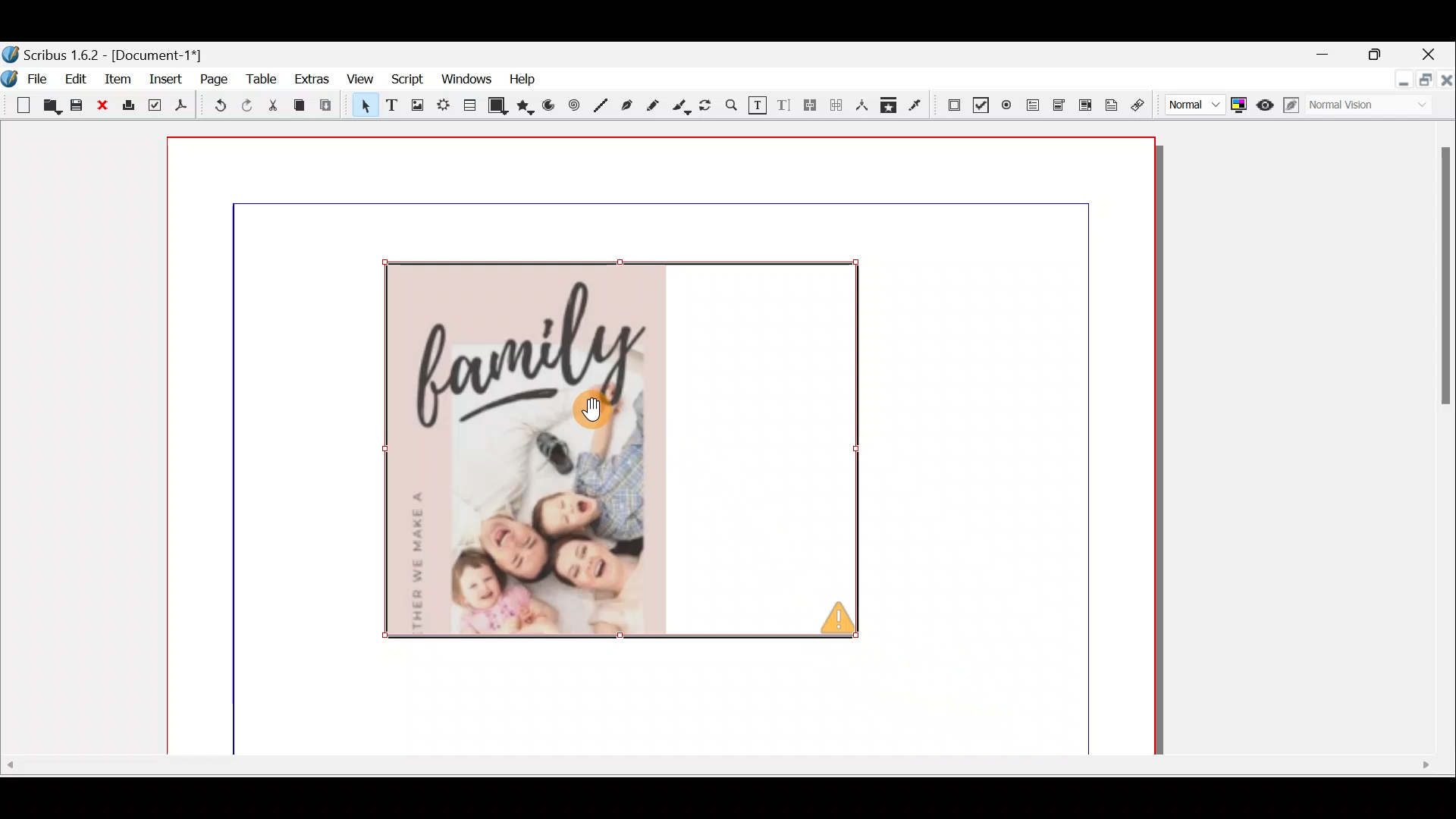  Describe the element at coordinates (155, 107) in the screenshot. I see `Preflight verifier` at that location.